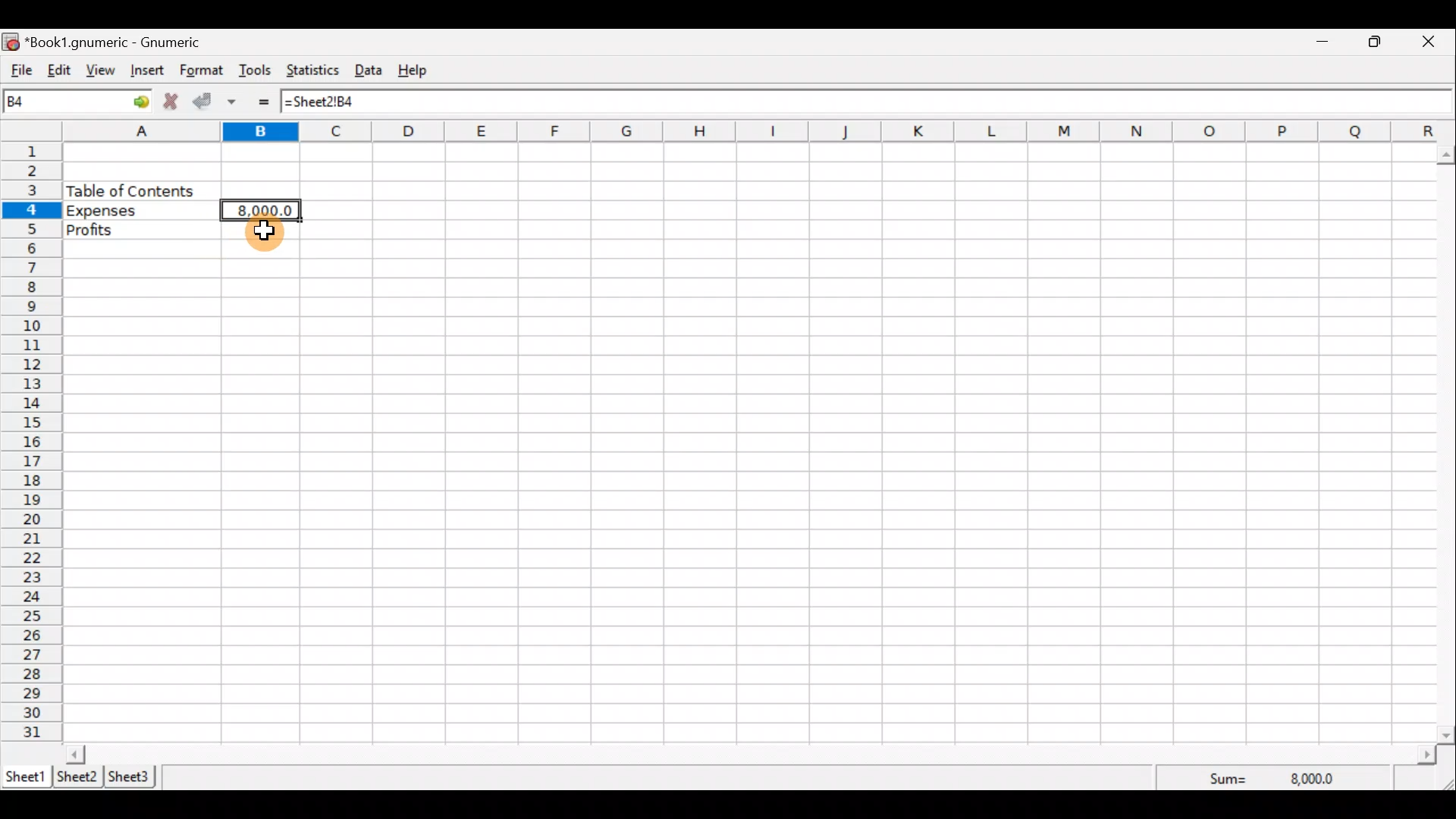  Describe the element at coordinates (150, 72) in the screenshot. I see `Insert` at that location.